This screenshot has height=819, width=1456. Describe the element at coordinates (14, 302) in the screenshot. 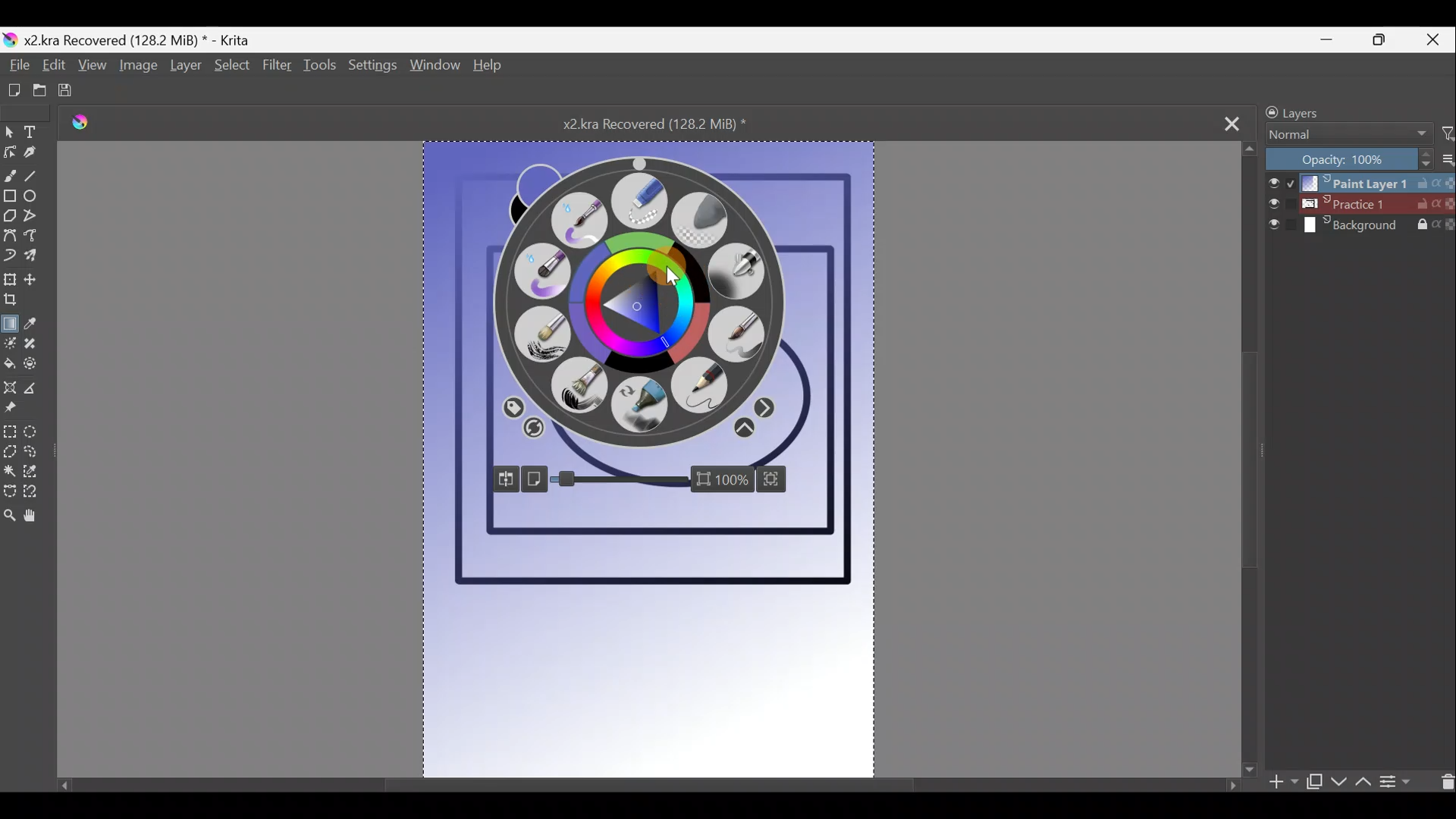

I see `Crop the image to an area` at that location.